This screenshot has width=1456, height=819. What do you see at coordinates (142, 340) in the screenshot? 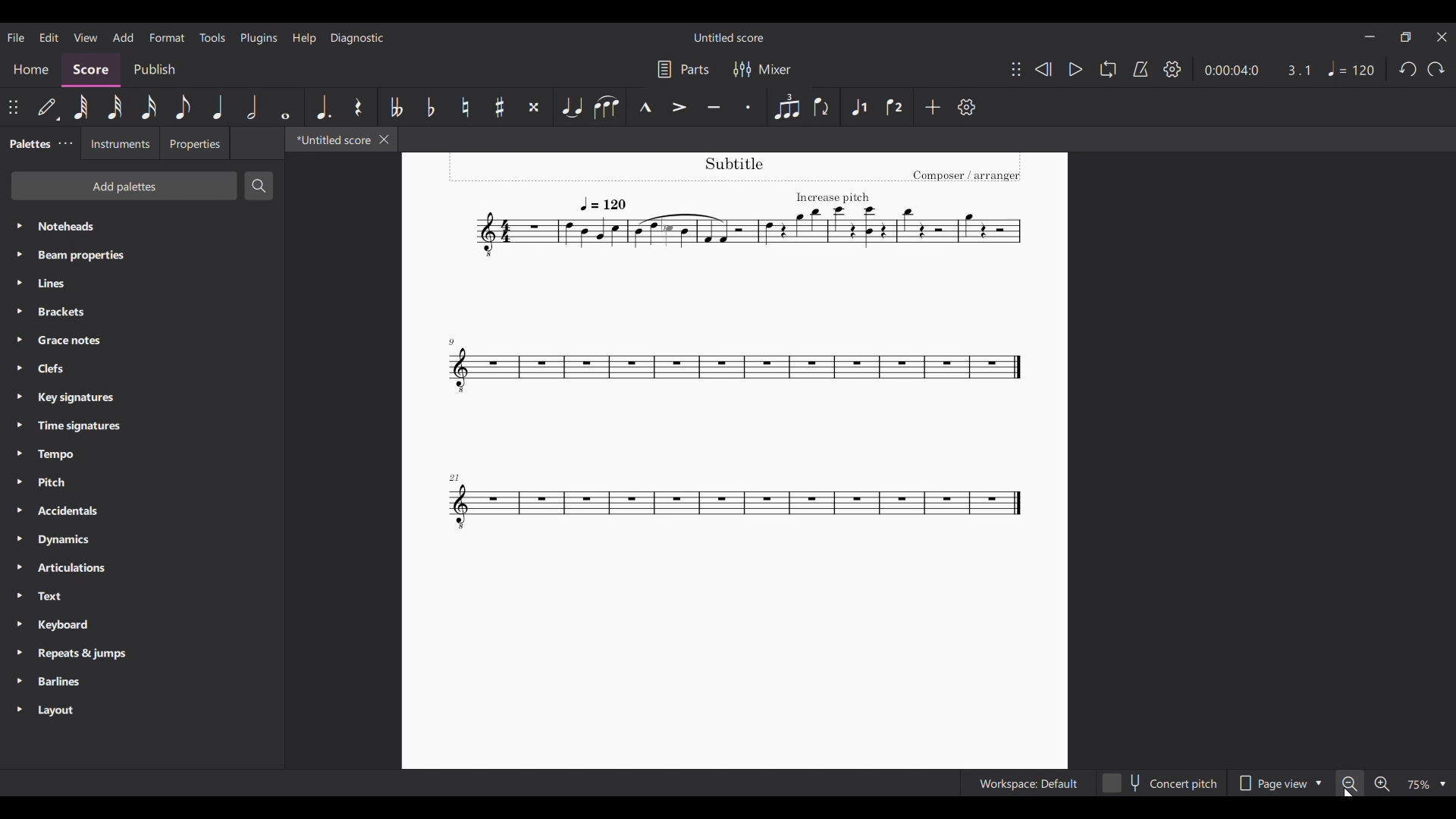
I see `Grace notes` at bounding box center [142, 340].